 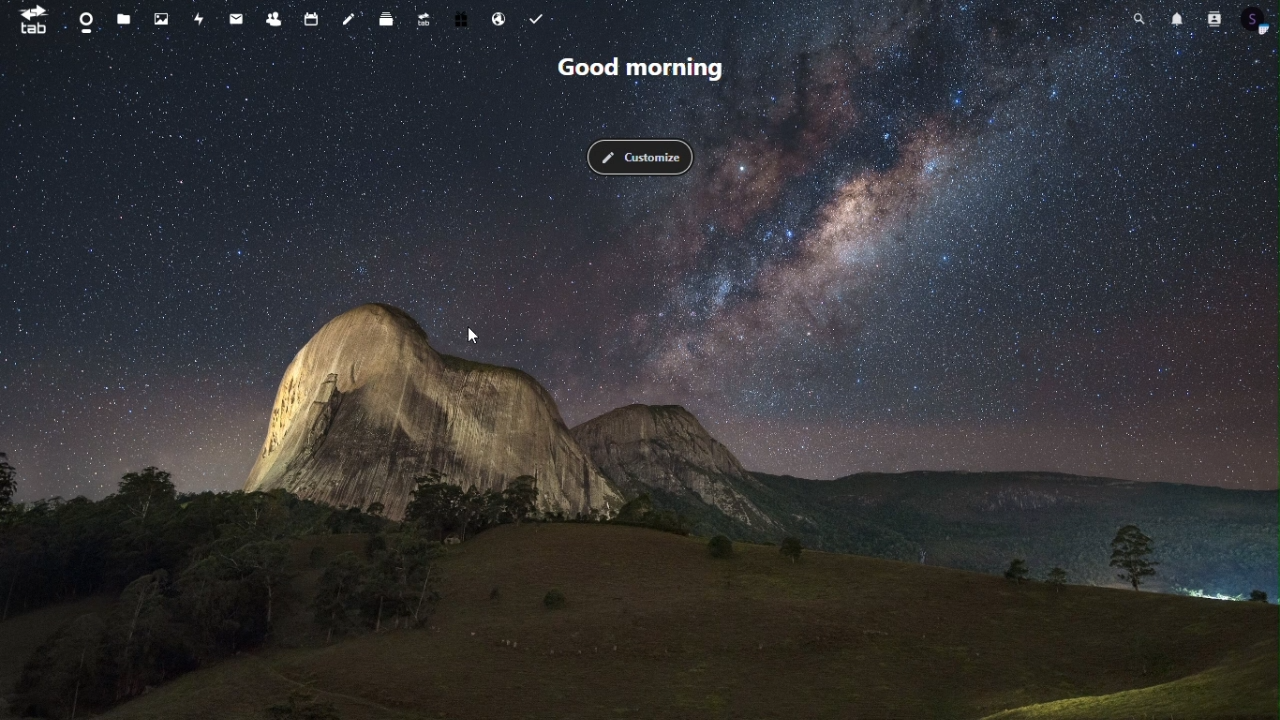 I want to click on files, so click(x=128, y=22).